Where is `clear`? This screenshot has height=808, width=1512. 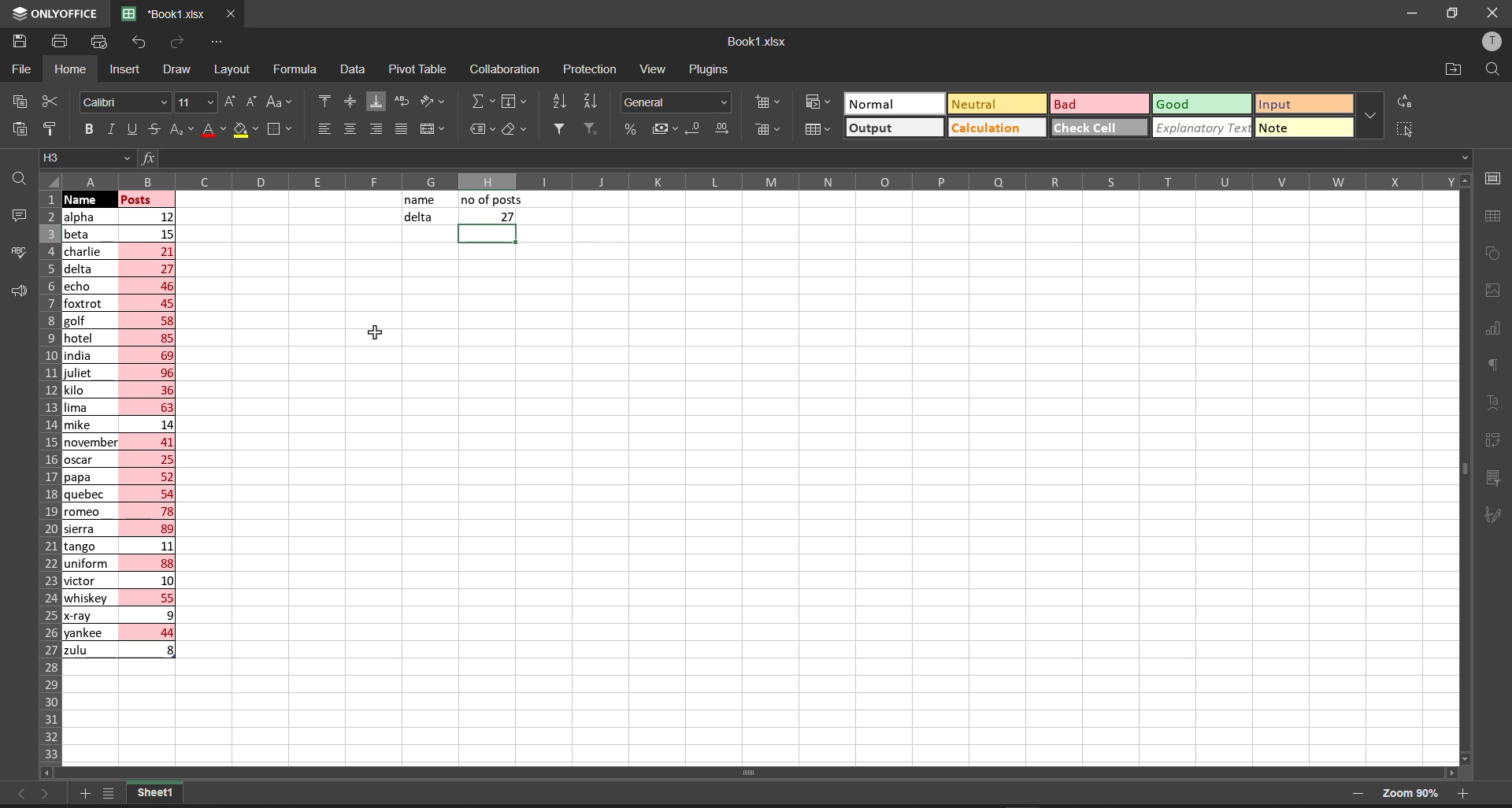 clear is located at coordinates (515, 130).